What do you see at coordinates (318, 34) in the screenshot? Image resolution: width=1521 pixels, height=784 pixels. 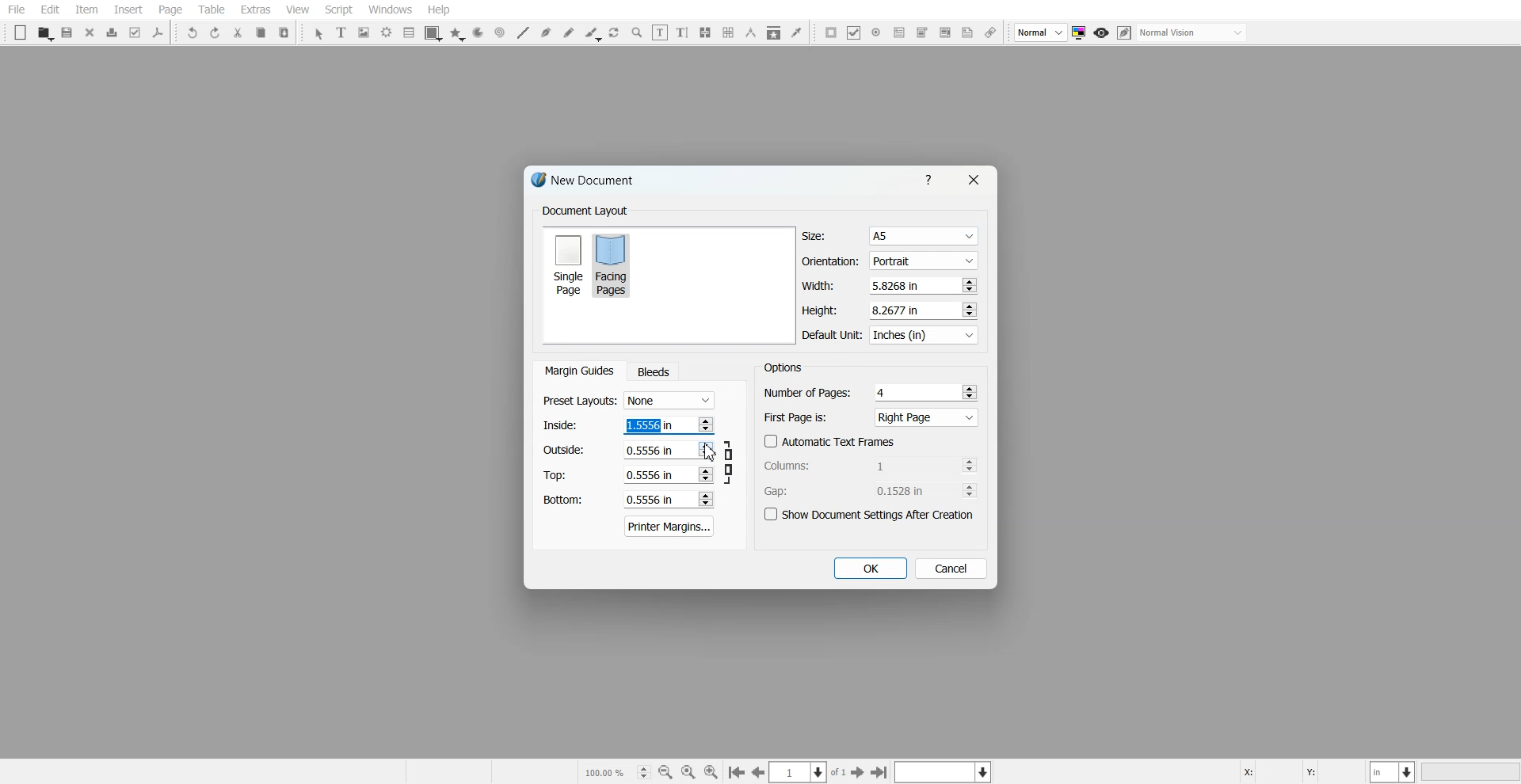 I see `Select Item` at bounding box center [318, 34].